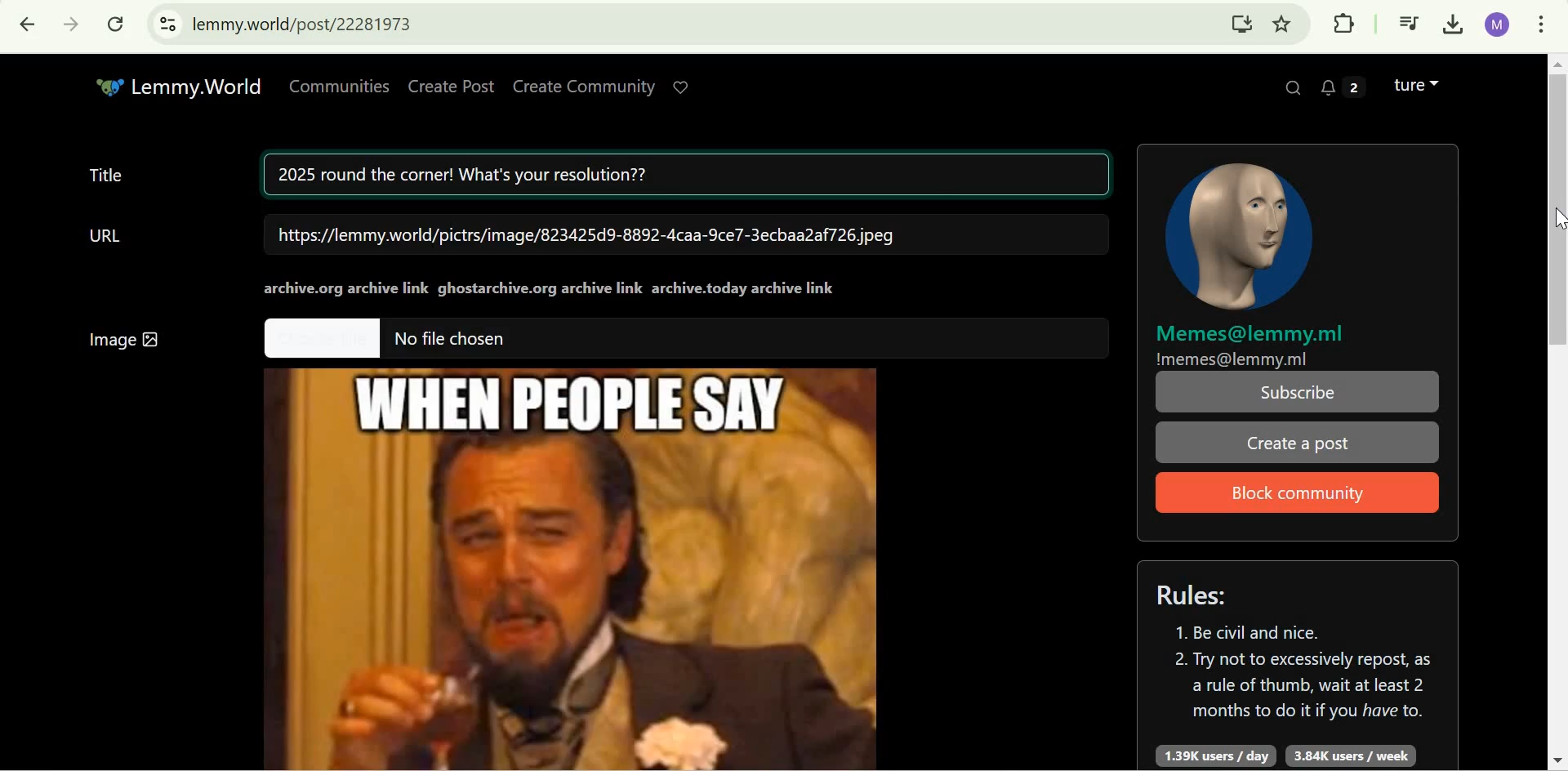 This screenshot has width=1568, height=771. I want to click on Subscribe, so click(1299, 392).